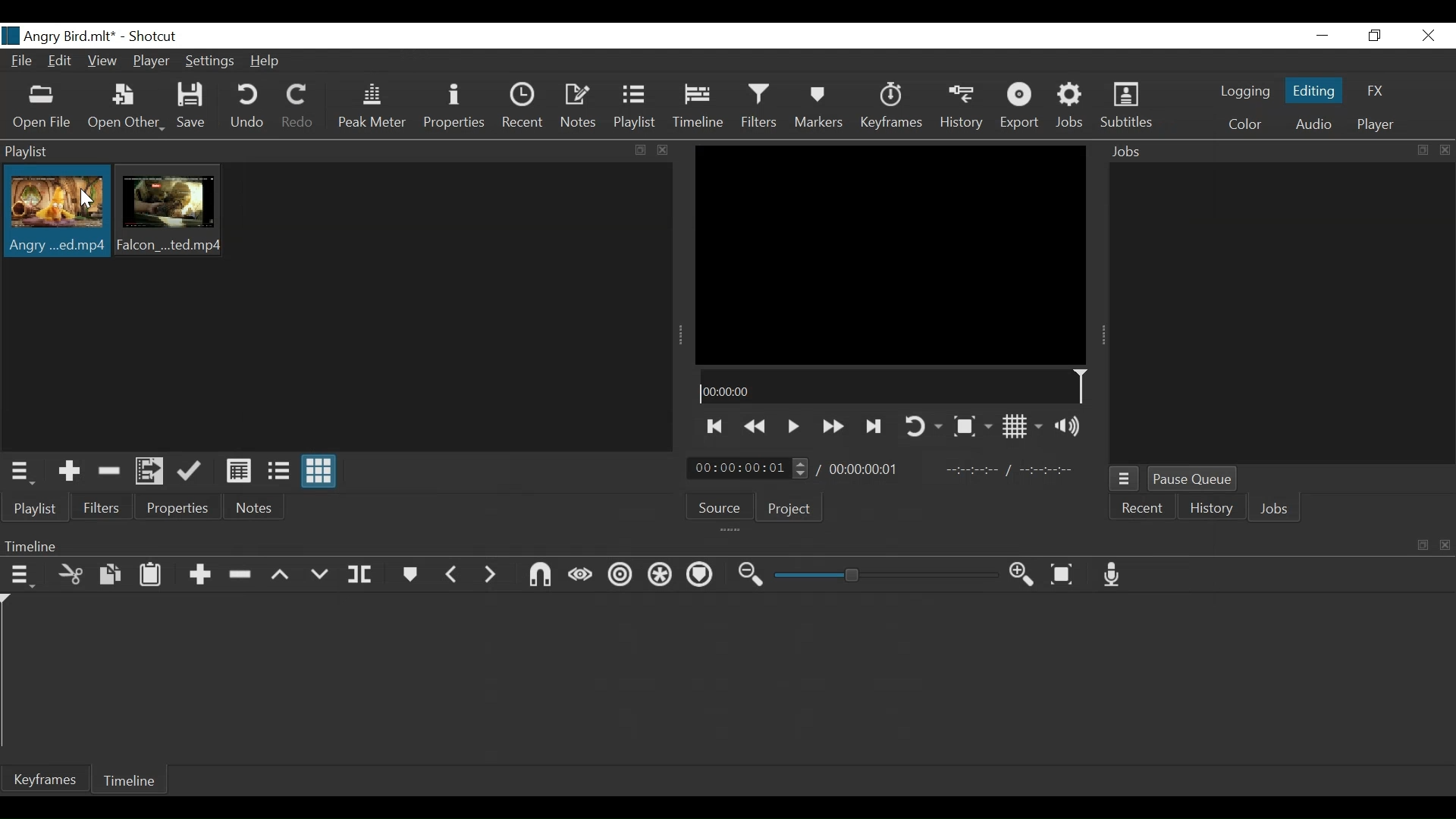 The height and width of the screenshot is (819, 1456). What do you see at coordinates (452, 576) in the screenshot?
I see `Previous marker` at bounding box center [452, 576].